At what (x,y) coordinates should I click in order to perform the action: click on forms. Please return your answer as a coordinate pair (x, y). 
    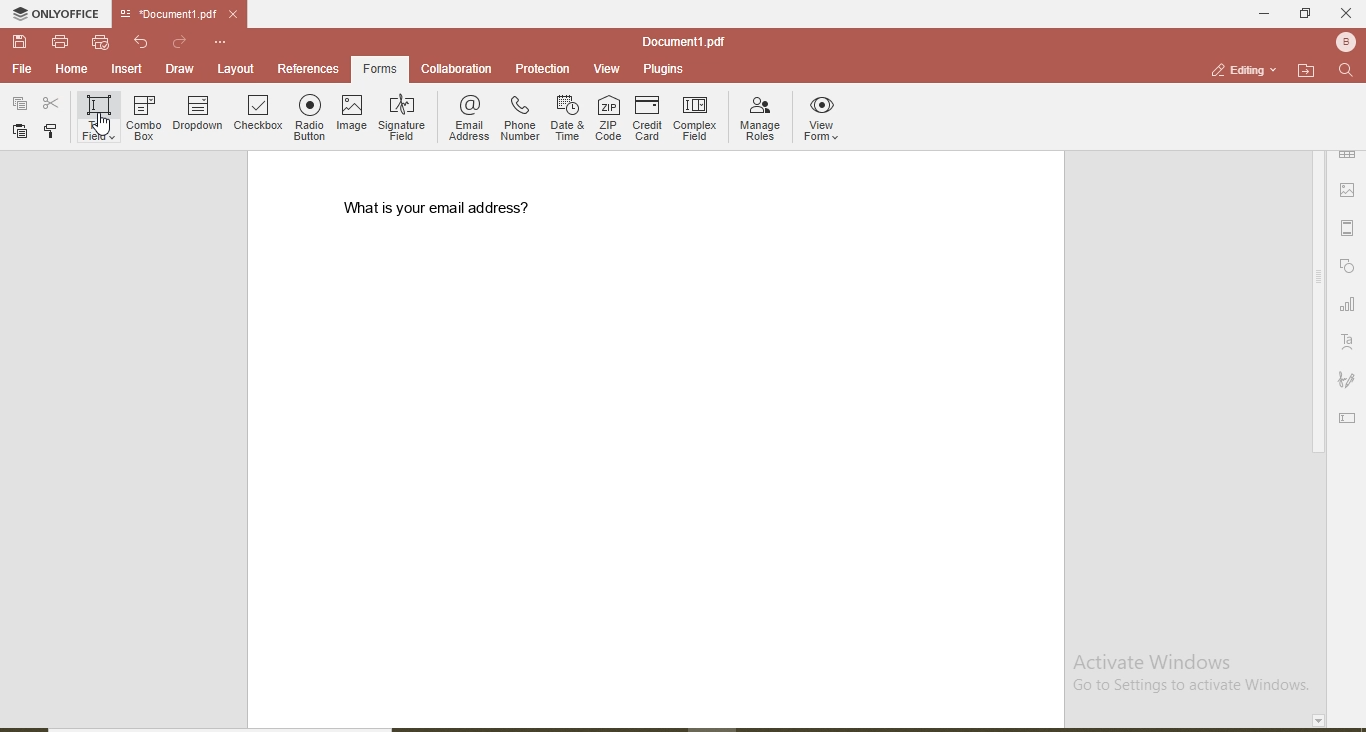
    Looking at the image, I should click on (380, 68).